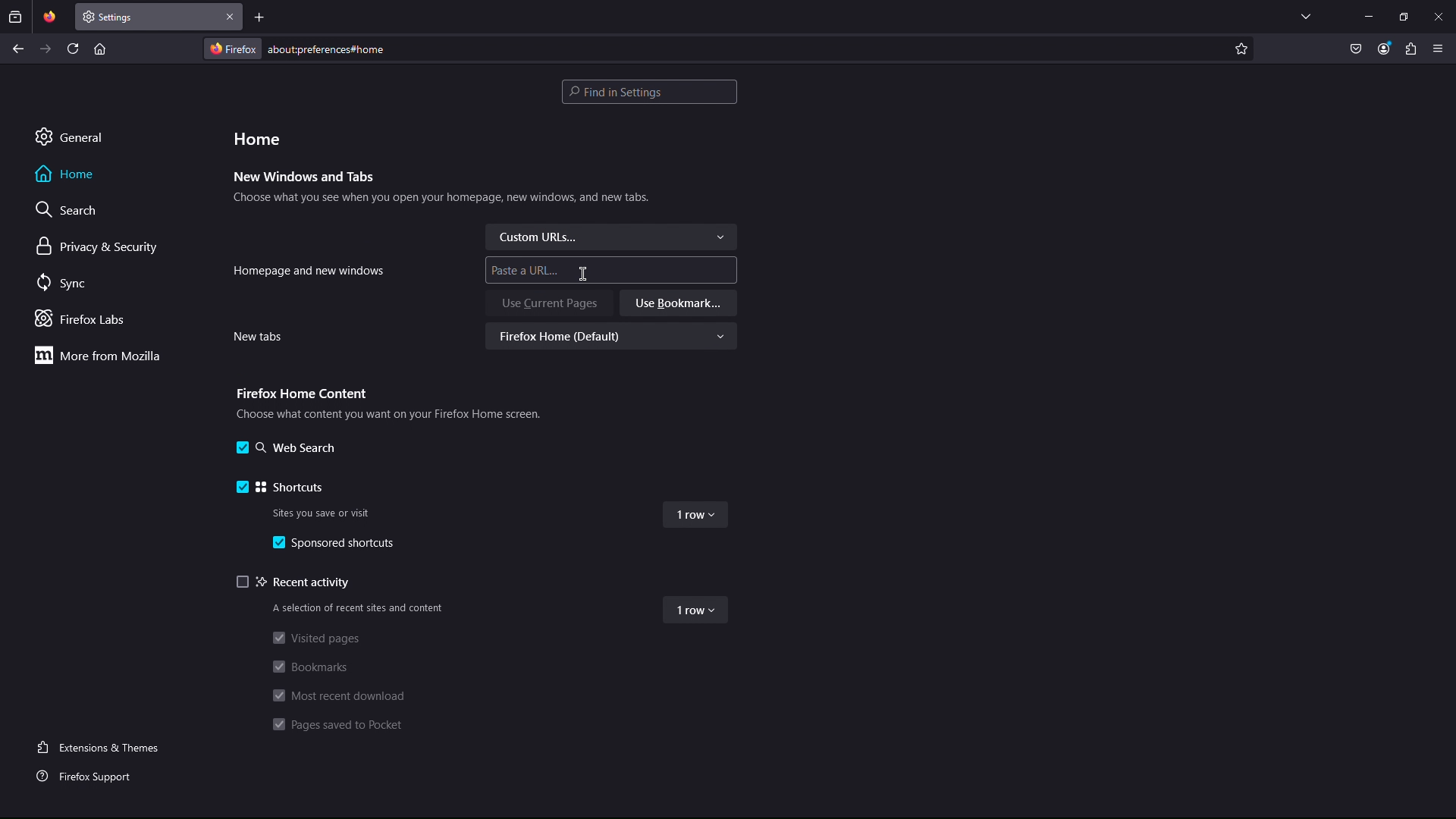  What do you see at coordinates (582, 274) in the screenshot?
I see `Cursor` at bounding box center [582, 274].